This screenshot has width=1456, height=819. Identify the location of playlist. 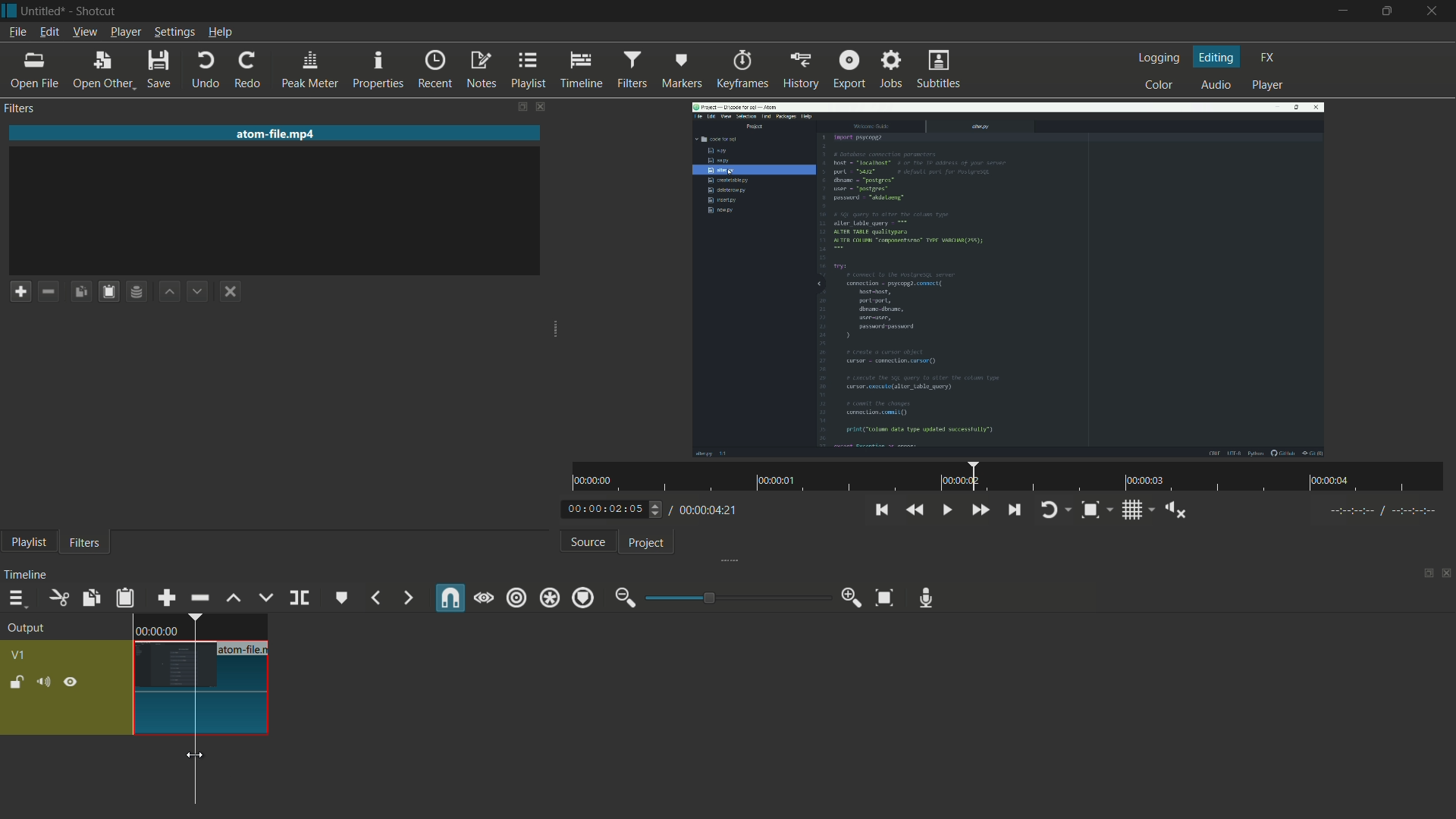
(30, 543).